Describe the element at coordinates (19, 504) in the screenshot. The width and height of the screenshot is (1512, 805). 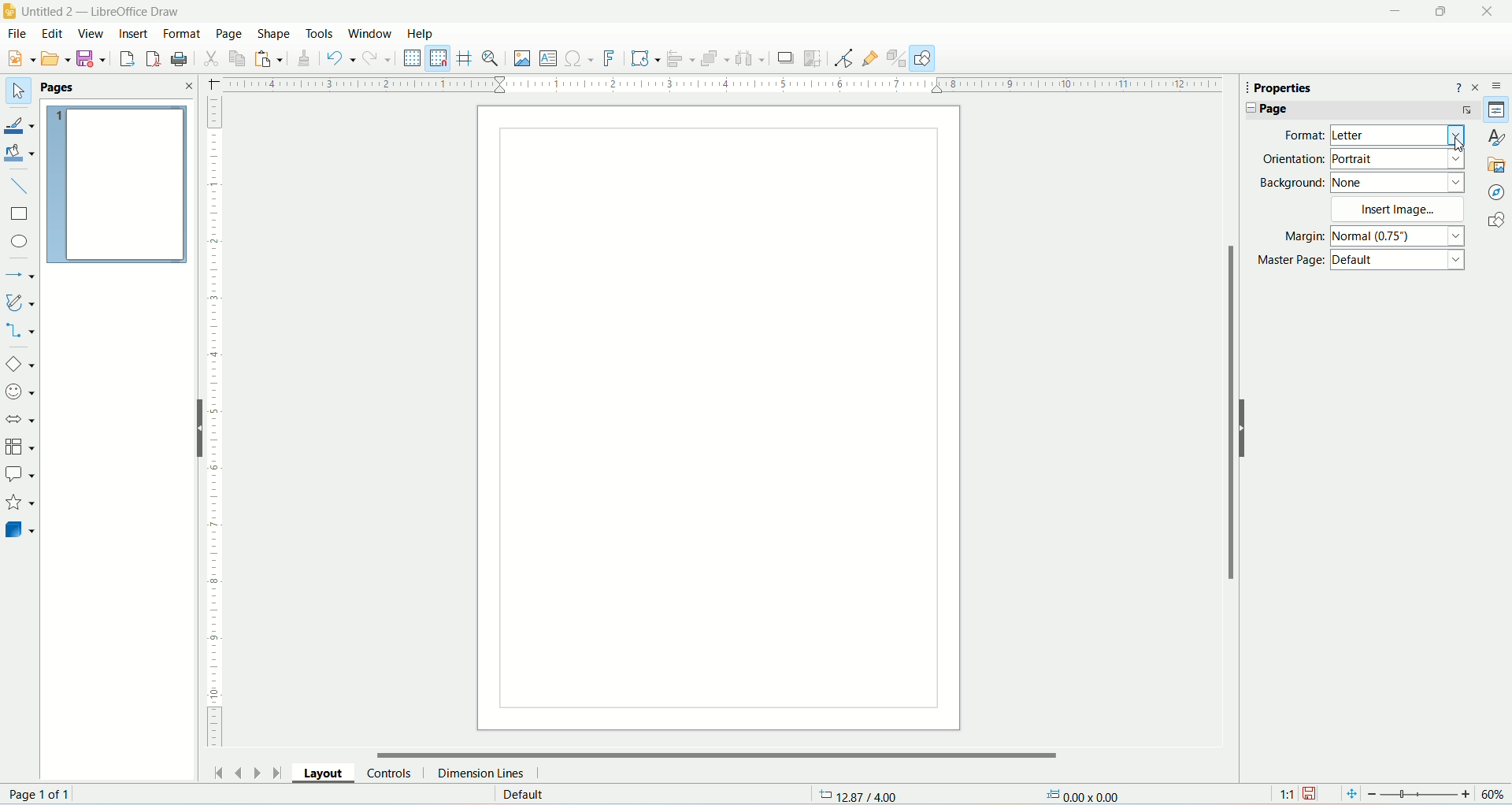
I see `starts and banners` at that location.